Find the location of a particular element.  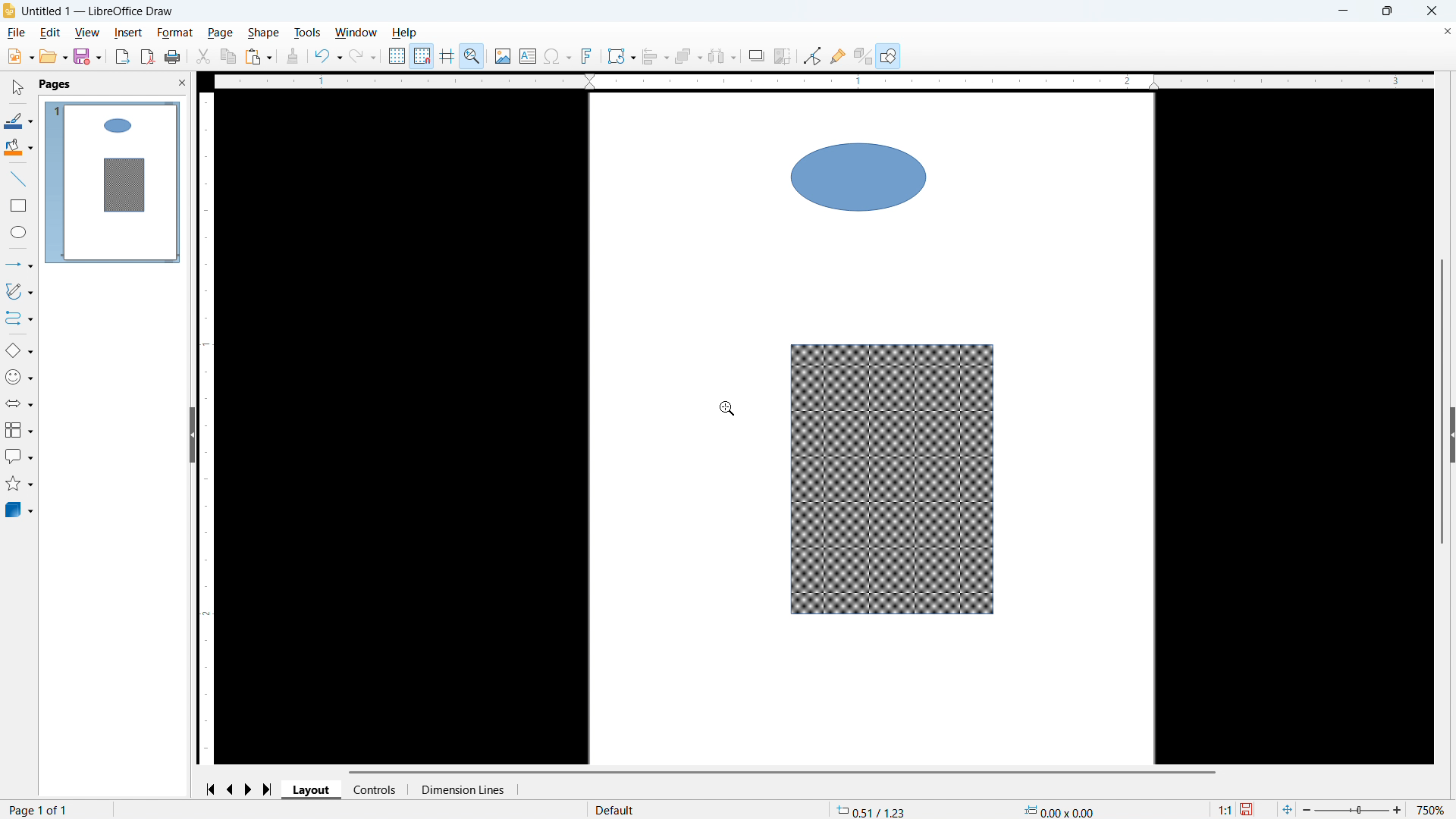

New  is located at coordinates (19, 57).